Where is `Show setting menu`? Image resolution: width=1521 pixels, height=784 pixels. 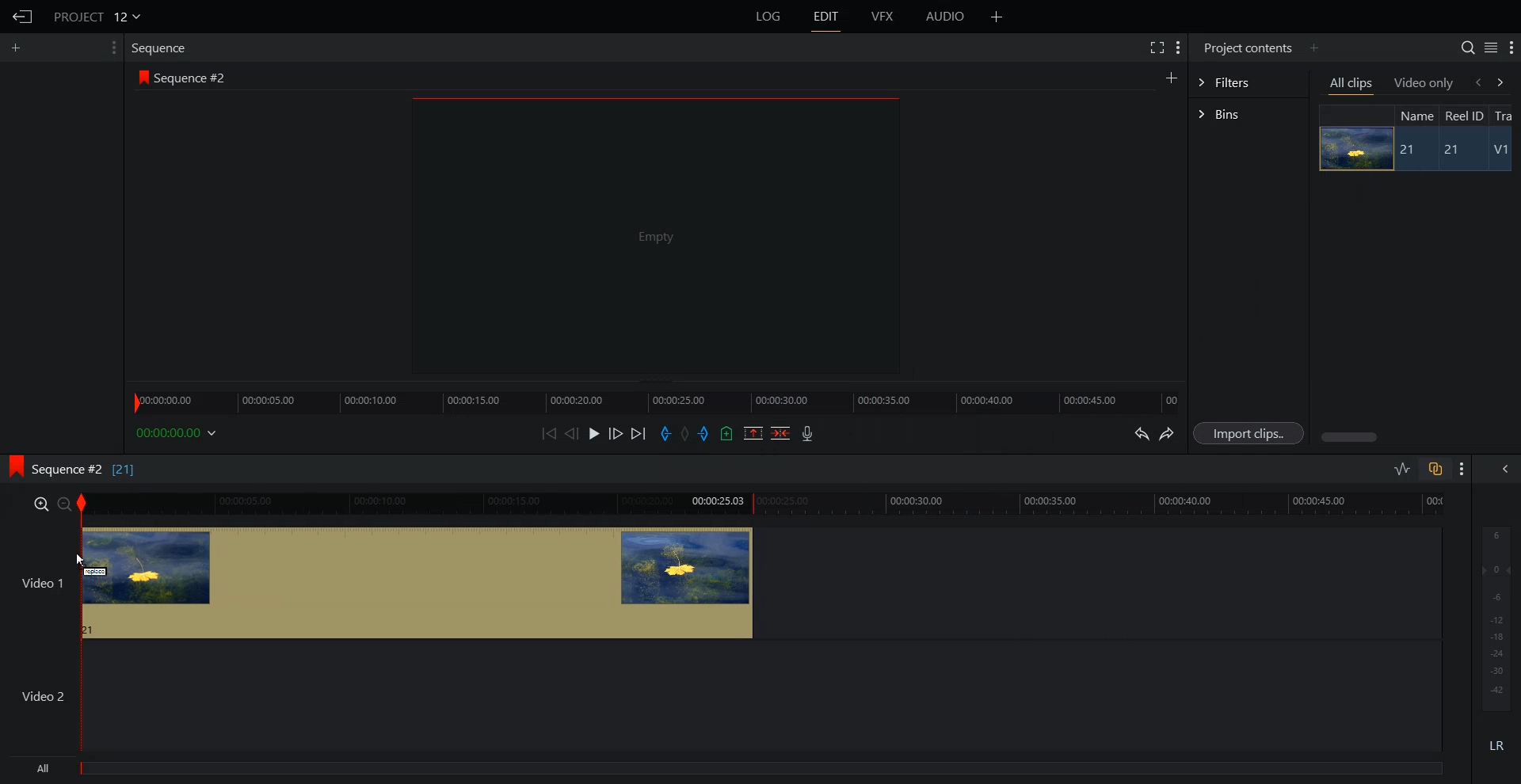 Show setting menu is located at coordinates (1511, 48).